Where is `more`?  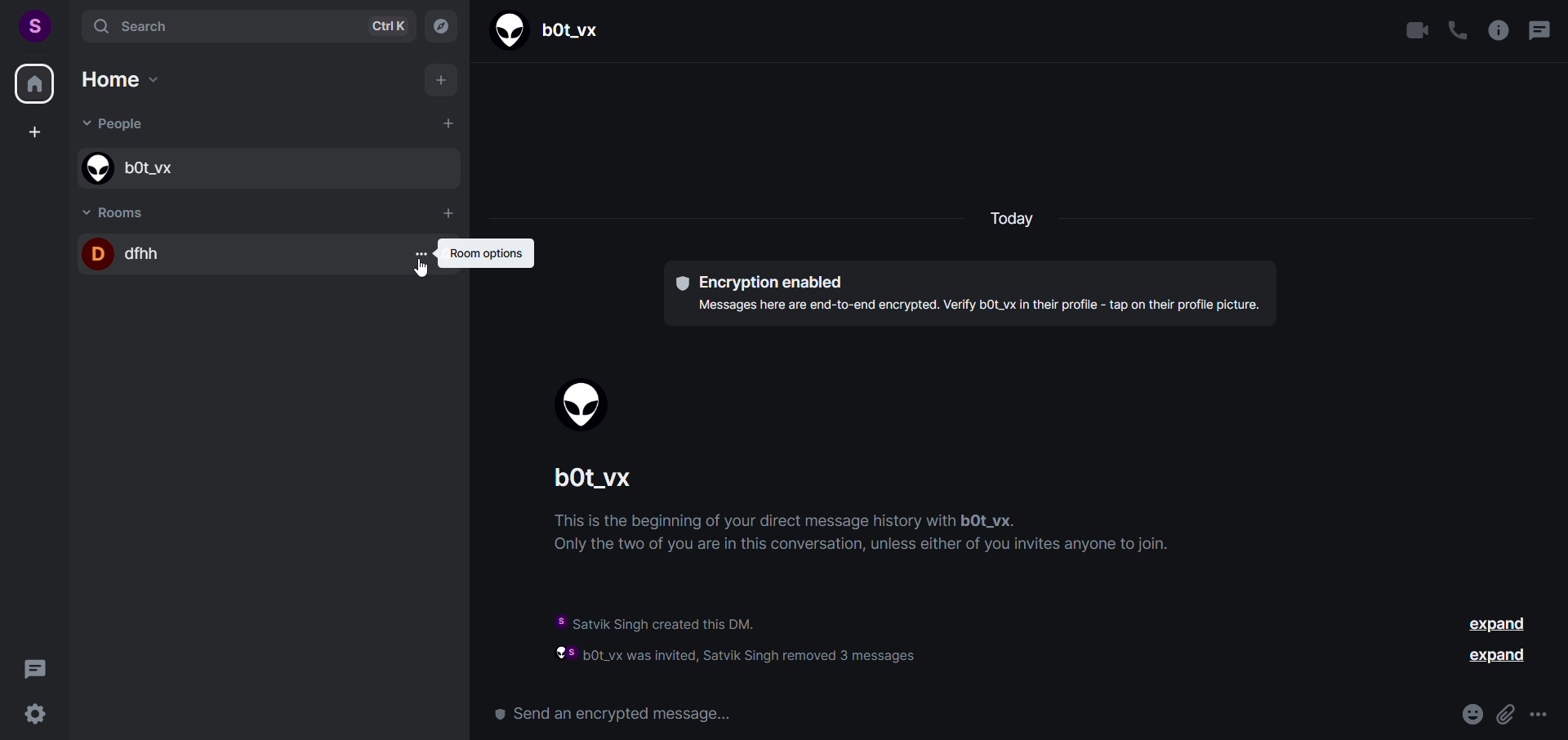 more is located at coordinates (1540, 715).